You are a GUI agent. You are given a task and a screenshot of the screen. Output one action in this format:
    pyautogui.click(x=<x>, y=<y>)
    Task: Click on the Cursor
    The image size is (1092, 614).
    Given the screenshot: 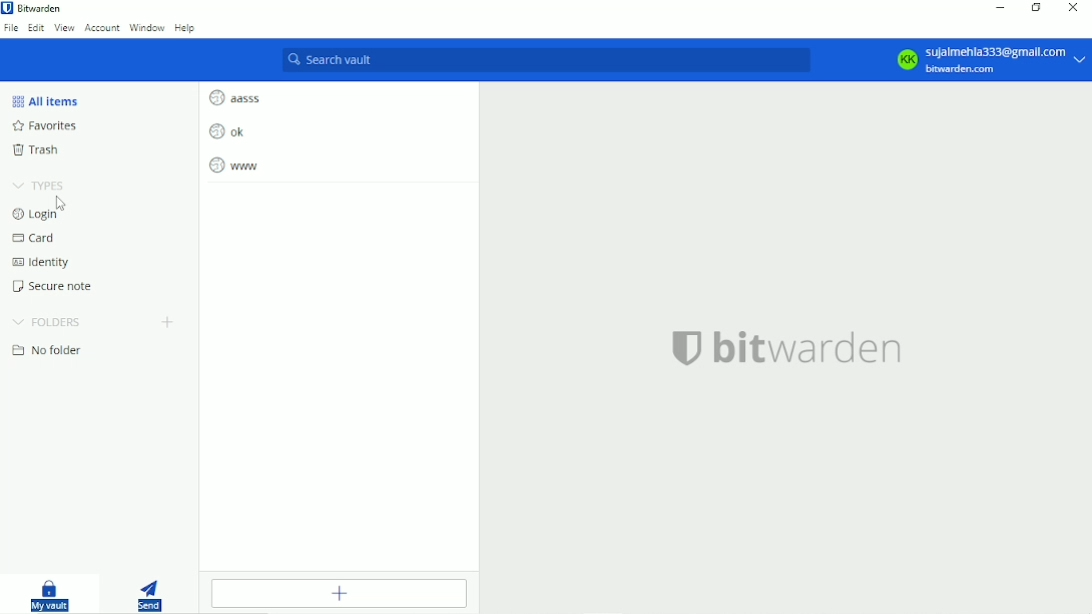 What is the action you would take?
    pyautogui.click(x=62, y=202)
    